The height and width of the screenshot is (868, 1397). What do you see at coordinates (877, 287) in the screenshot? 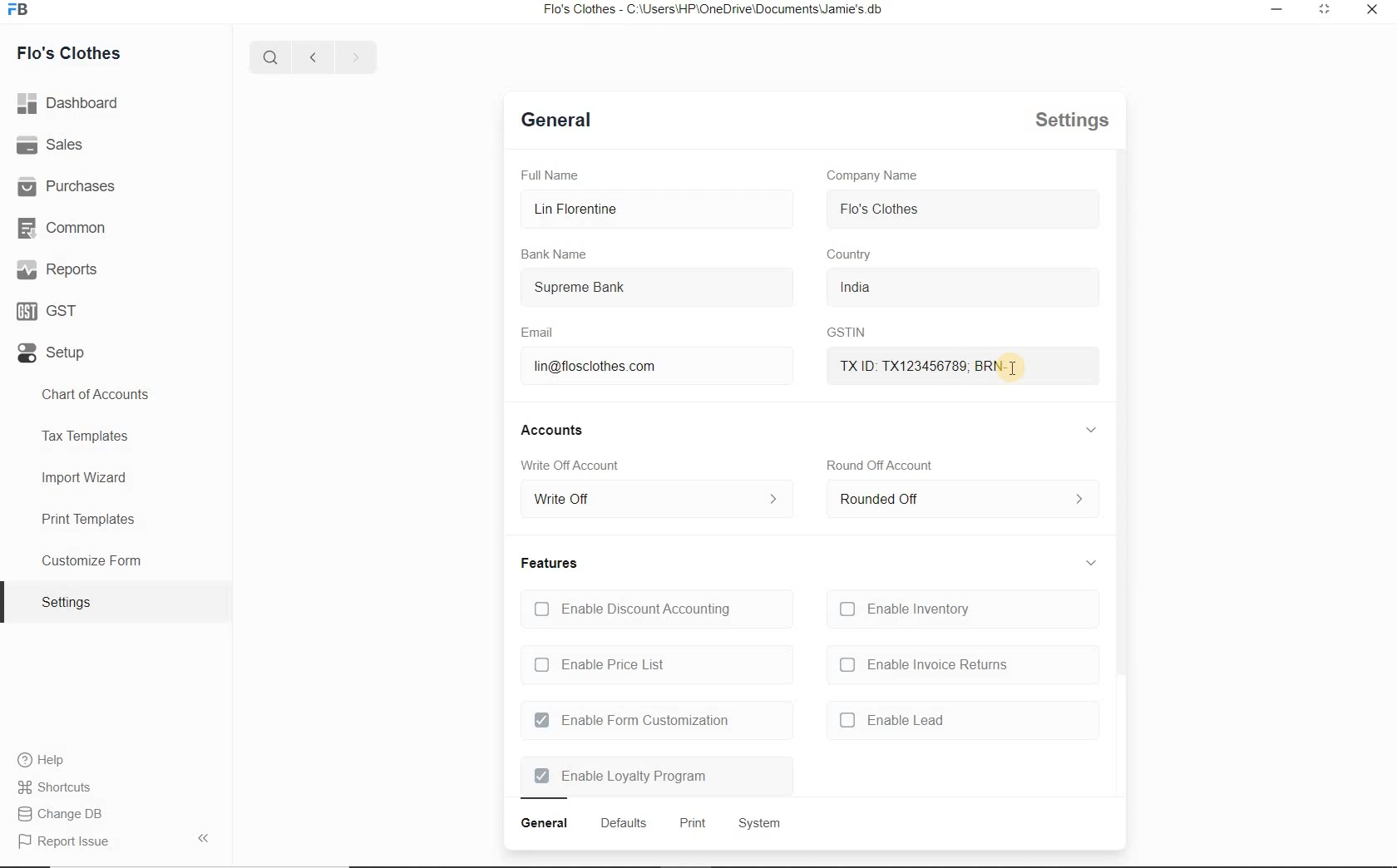
I see `india` at bounding box center [877, 287].